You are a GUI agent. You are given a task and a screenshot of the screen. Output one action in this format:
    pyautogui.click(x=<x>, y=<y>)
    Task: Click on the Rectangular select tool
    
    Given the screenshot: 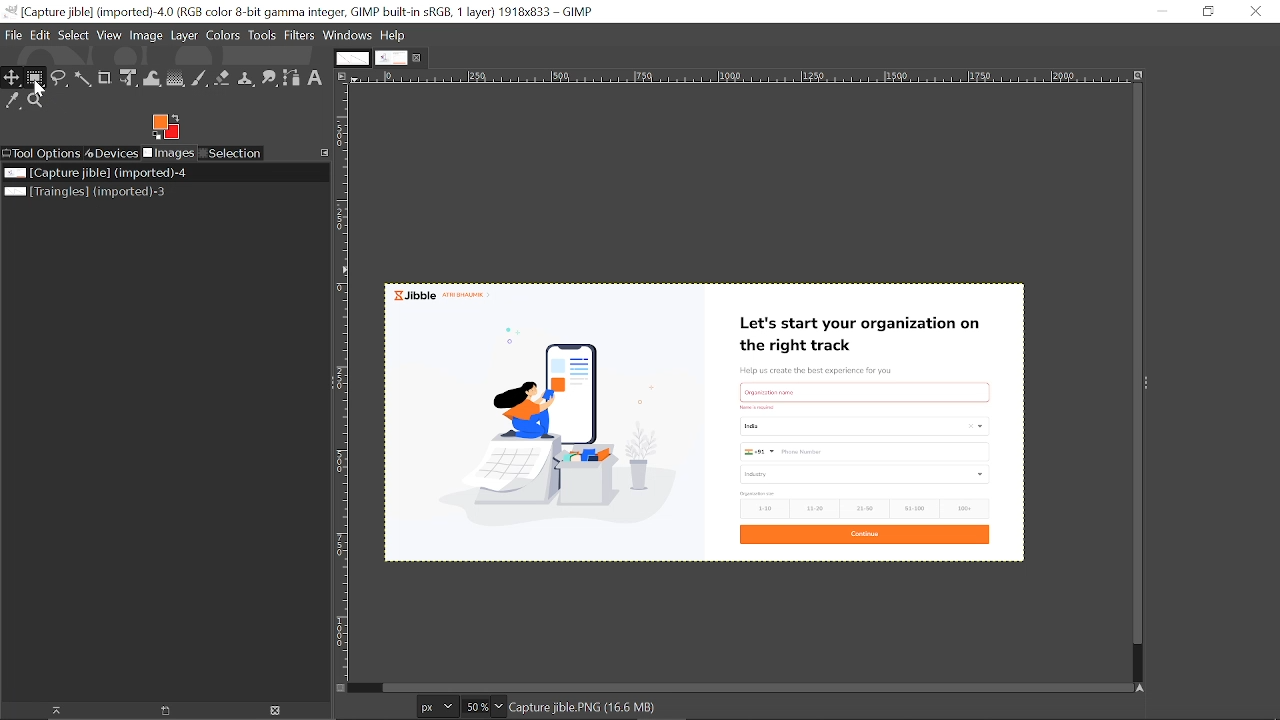 What is the action you would take?
    pyautogui.click(x=36, y=79)
    